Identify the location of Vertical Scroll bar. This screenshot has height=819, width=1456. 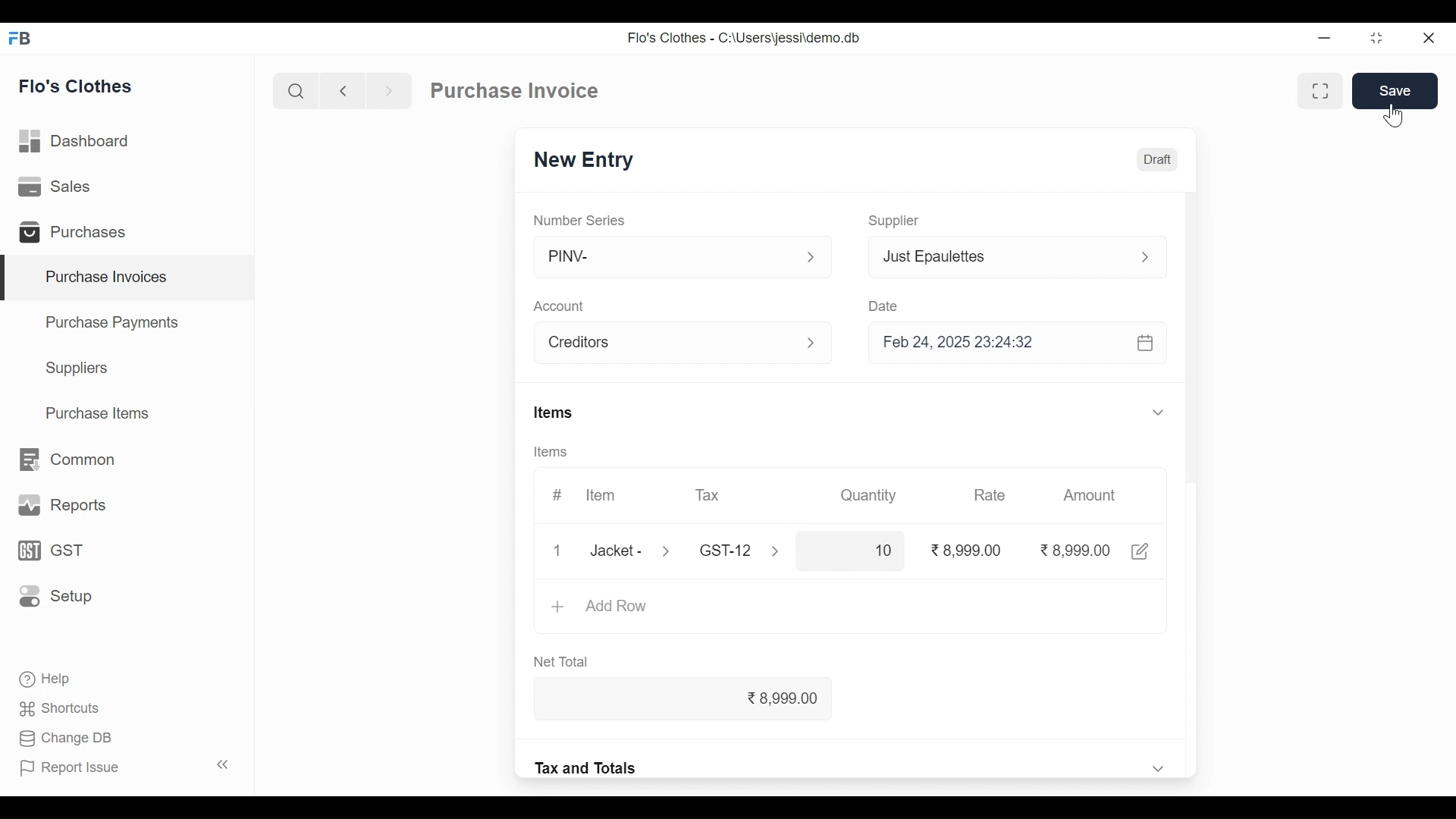
(1197, 416).